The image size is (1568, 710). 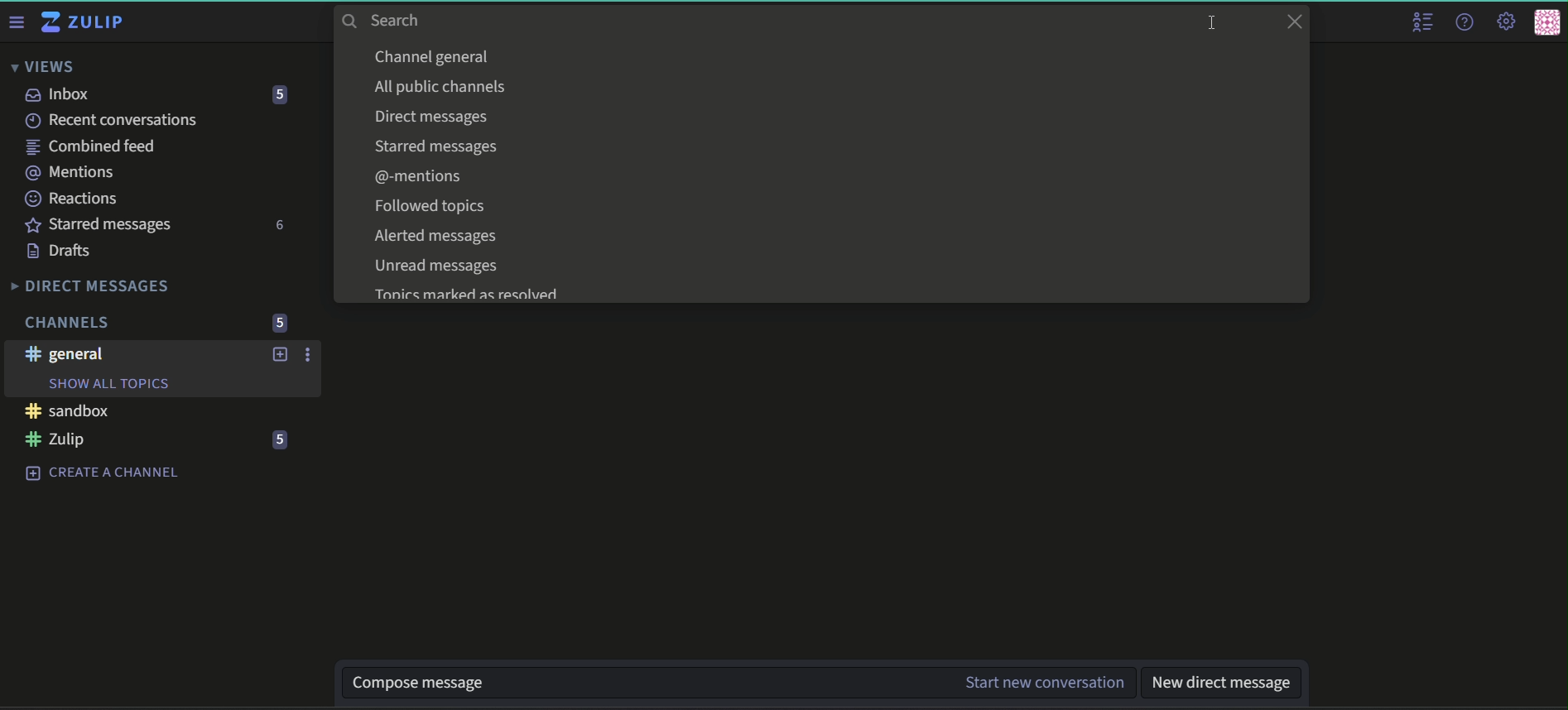 What do you see at coordinates (436, 237) in the screenshot?
I see `text` at bounding box center [436, 237].